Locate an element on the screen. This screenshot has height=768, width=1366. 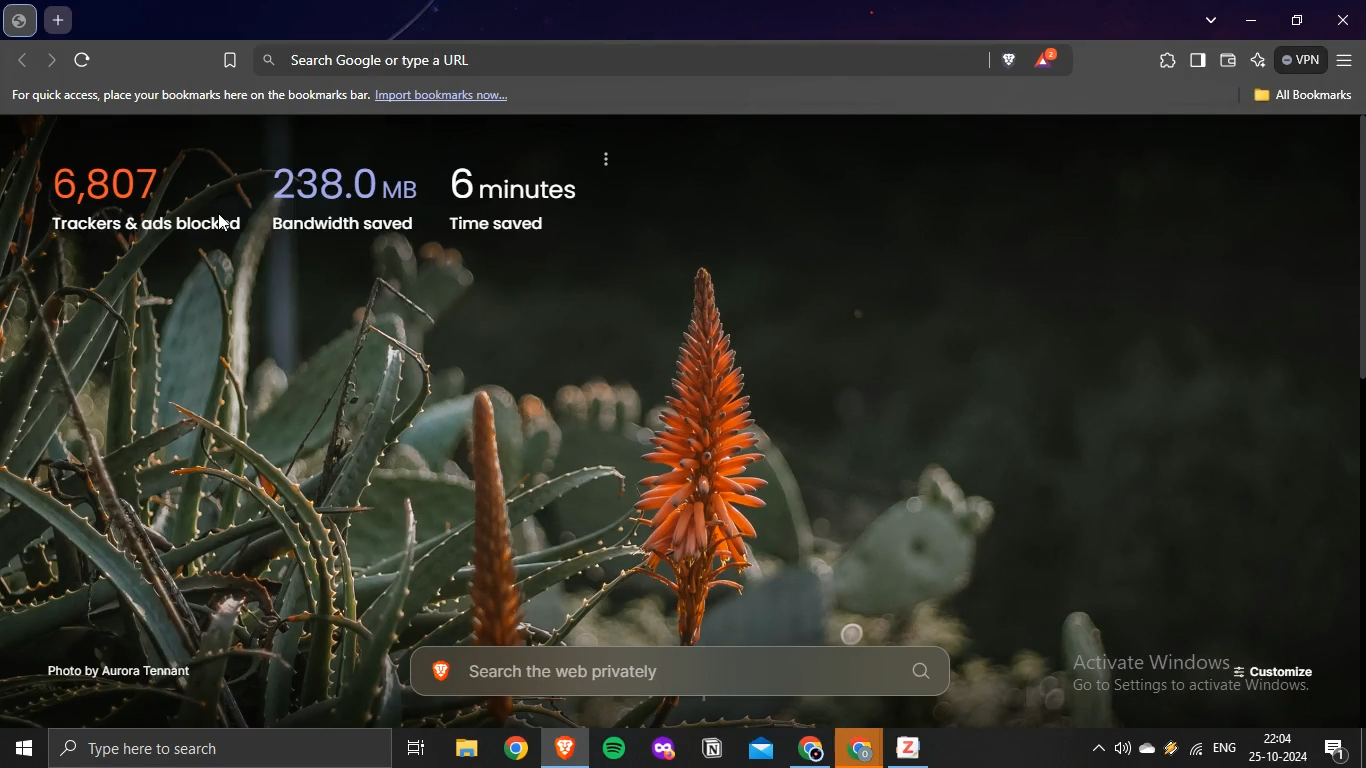
notifications is located at coordinates (1340, 749).